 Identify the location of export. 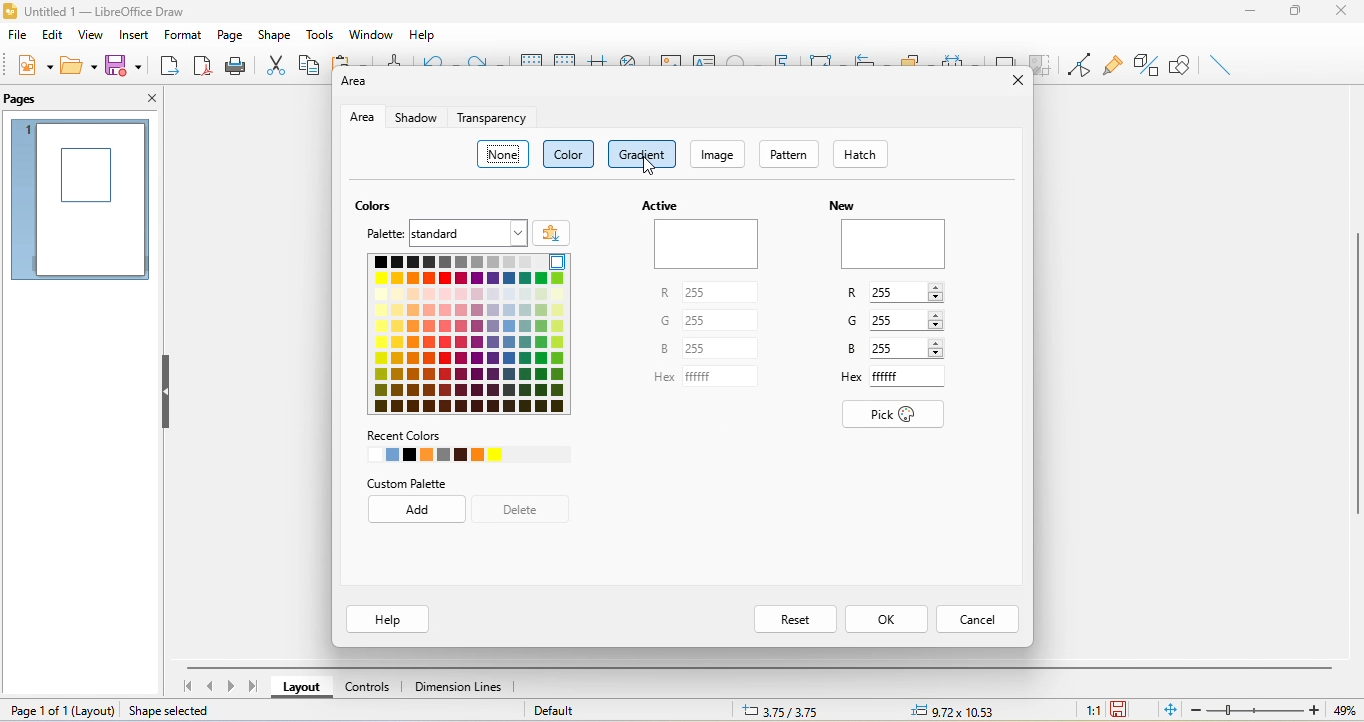
(169, 68).